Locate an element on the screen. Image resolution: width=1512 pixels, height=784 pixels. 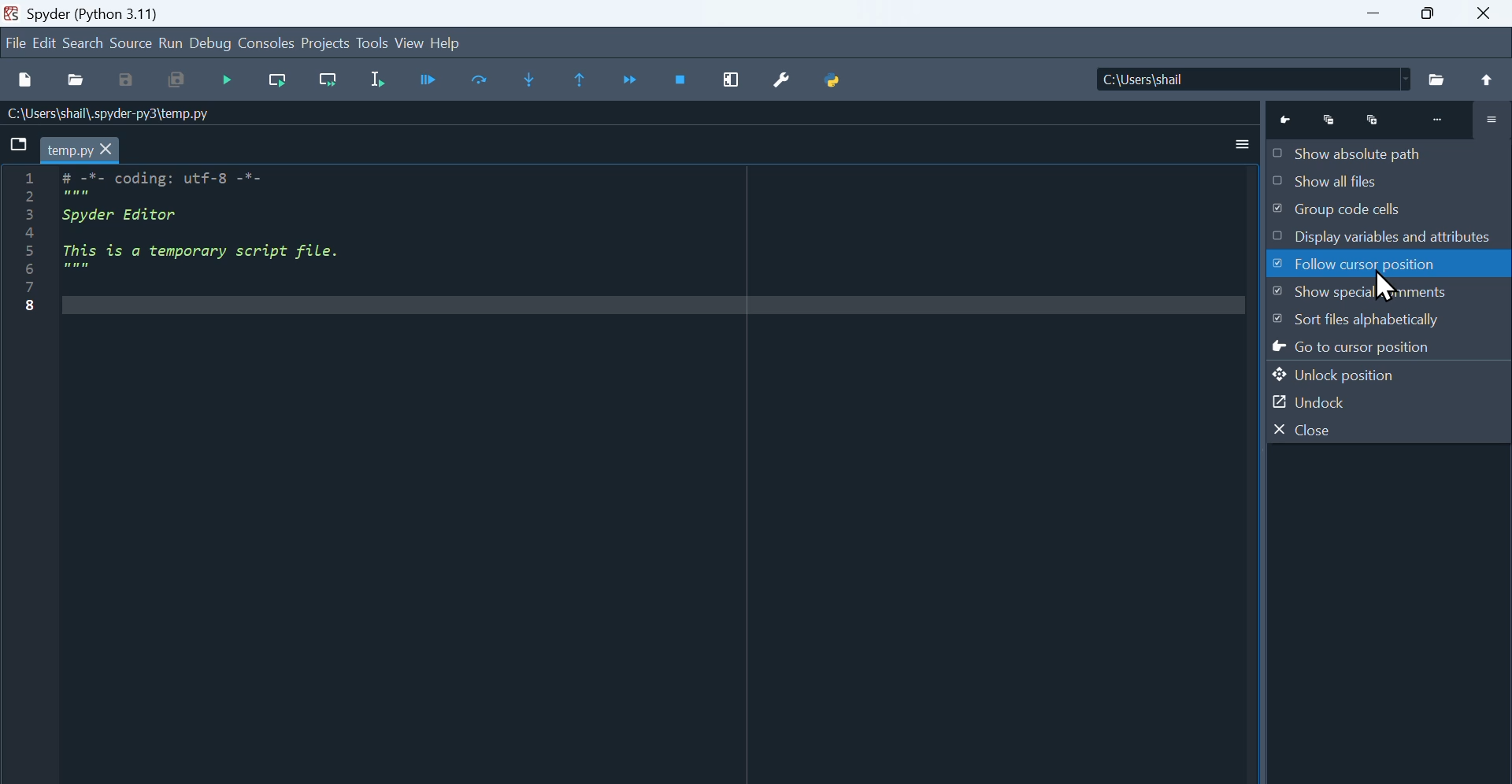
Maximise current window is located at coordinates (733, 82).